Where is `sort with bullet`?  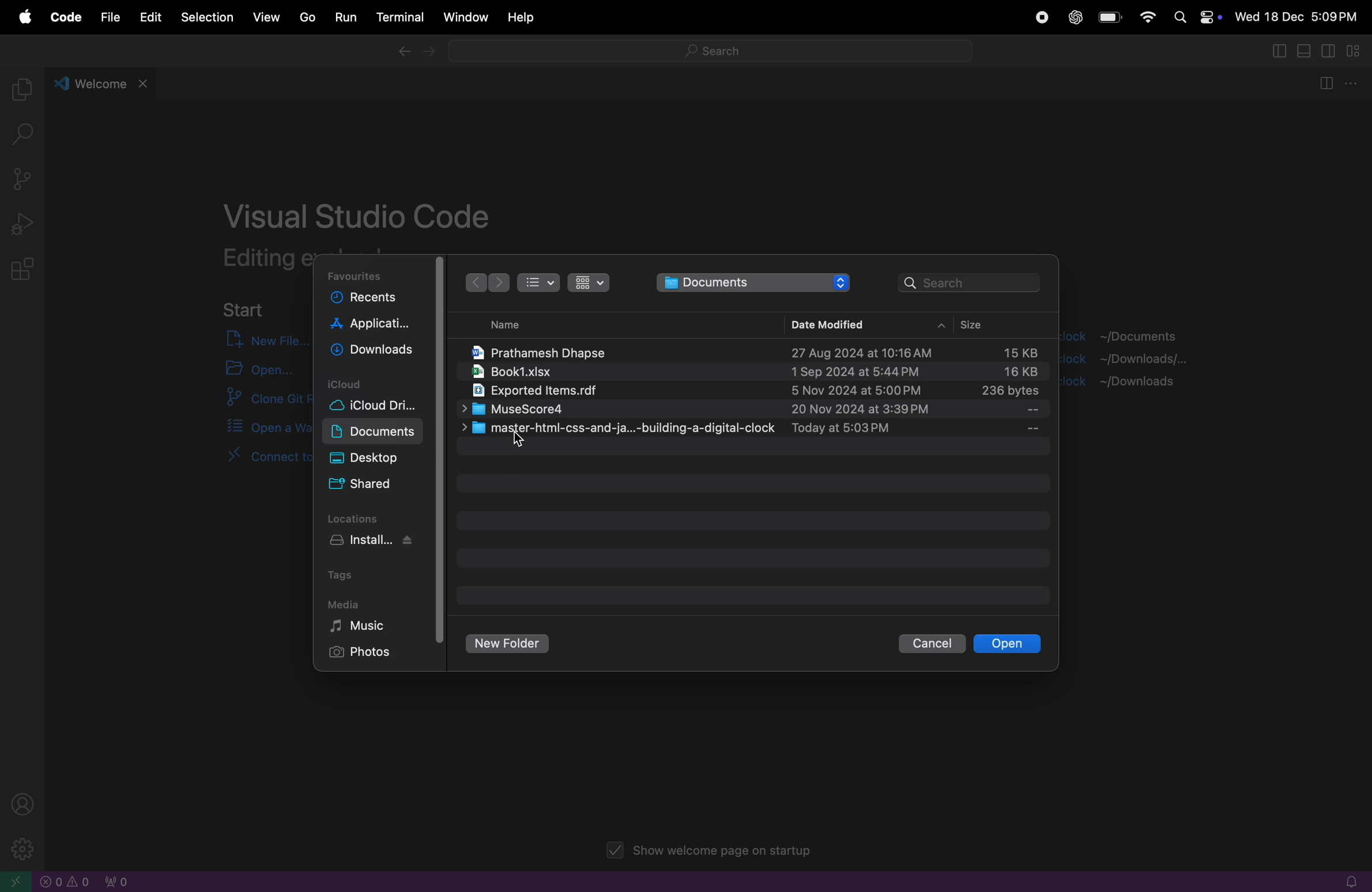
sort with bullet is located at coordinates (538, 282).